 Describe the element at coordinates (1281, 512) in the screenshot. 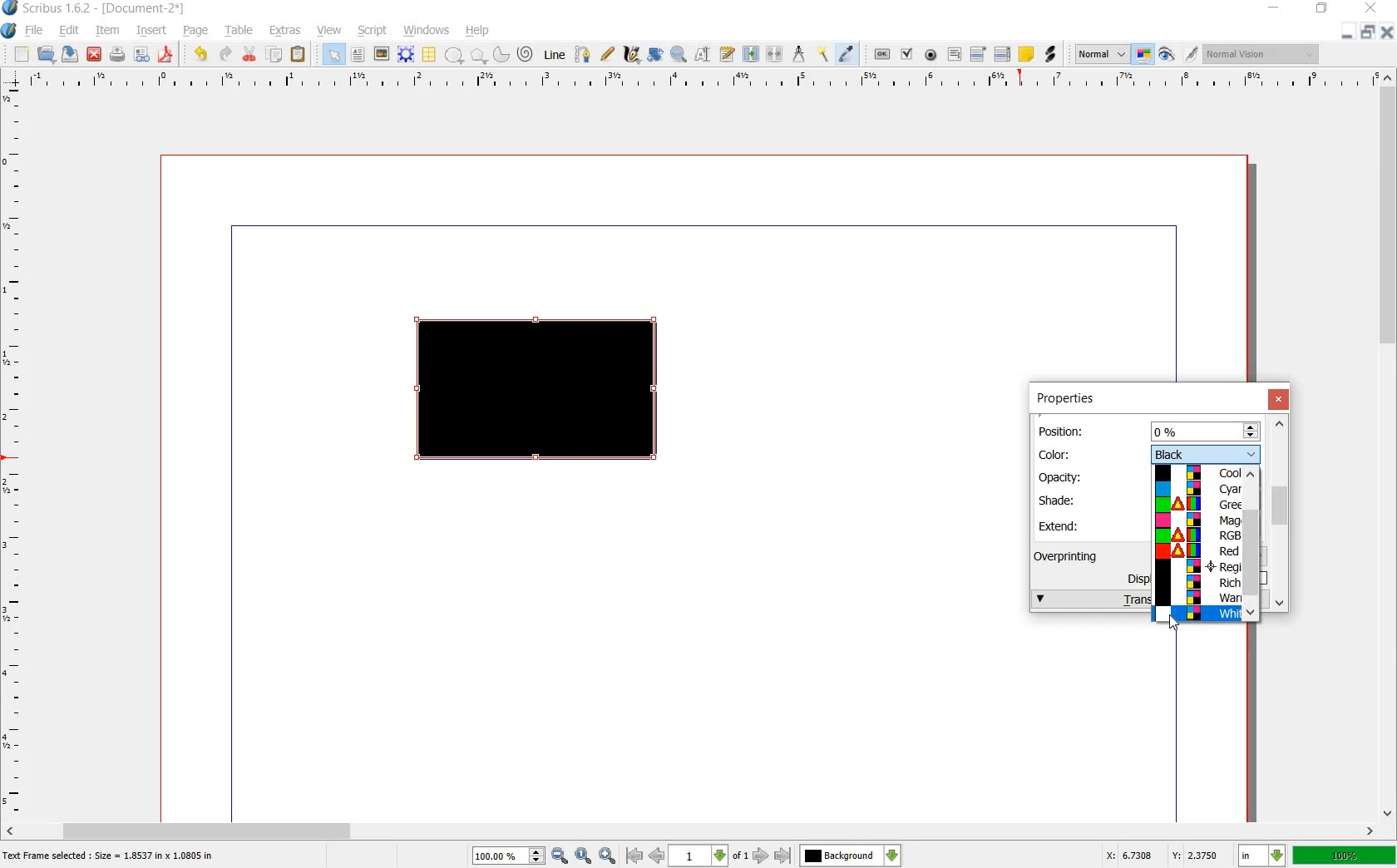

I see `scrollbar` at that location.